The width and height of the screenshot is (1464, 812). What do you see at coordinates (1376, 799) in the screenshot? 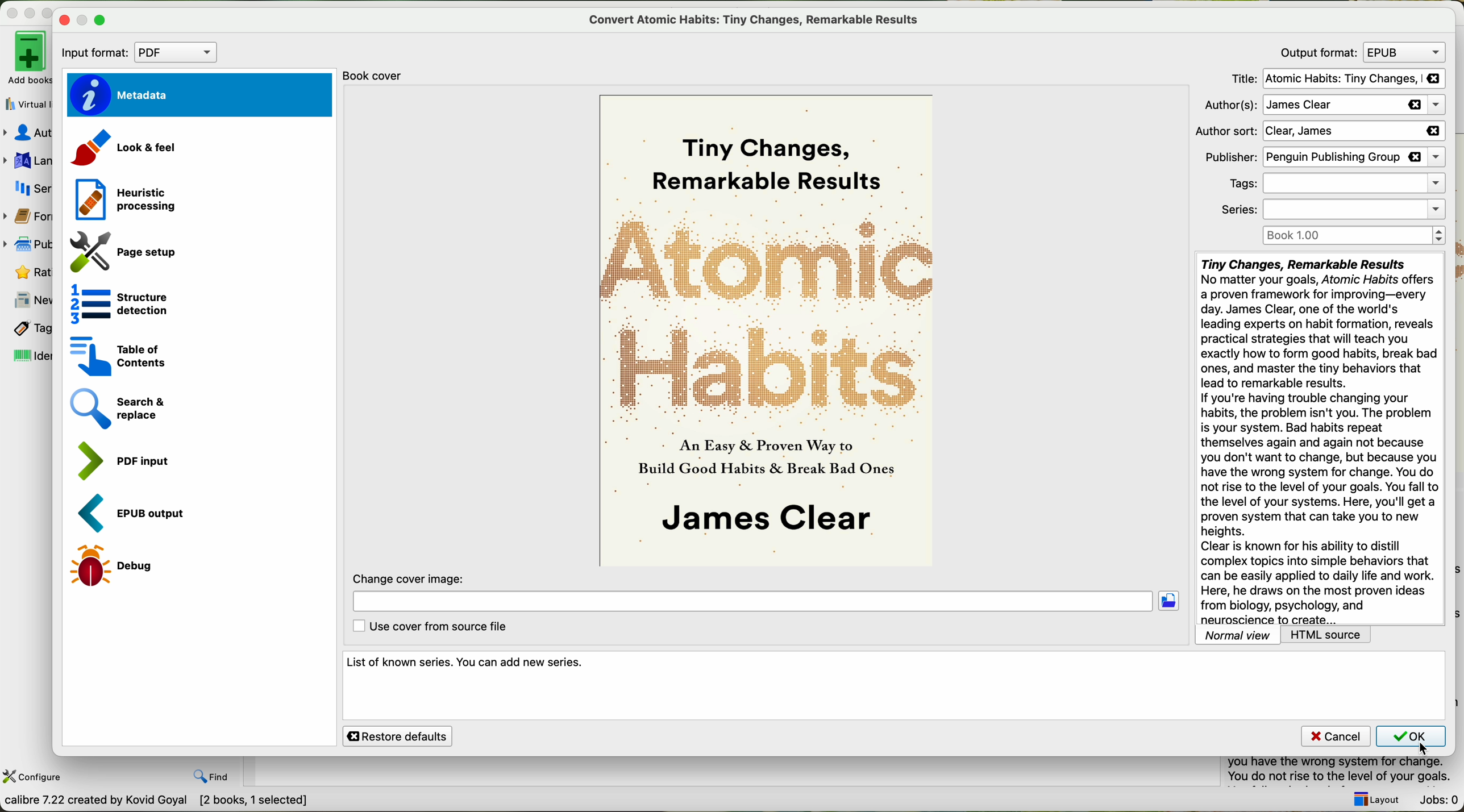
I see `layout` at bounding box center [1376, 799].